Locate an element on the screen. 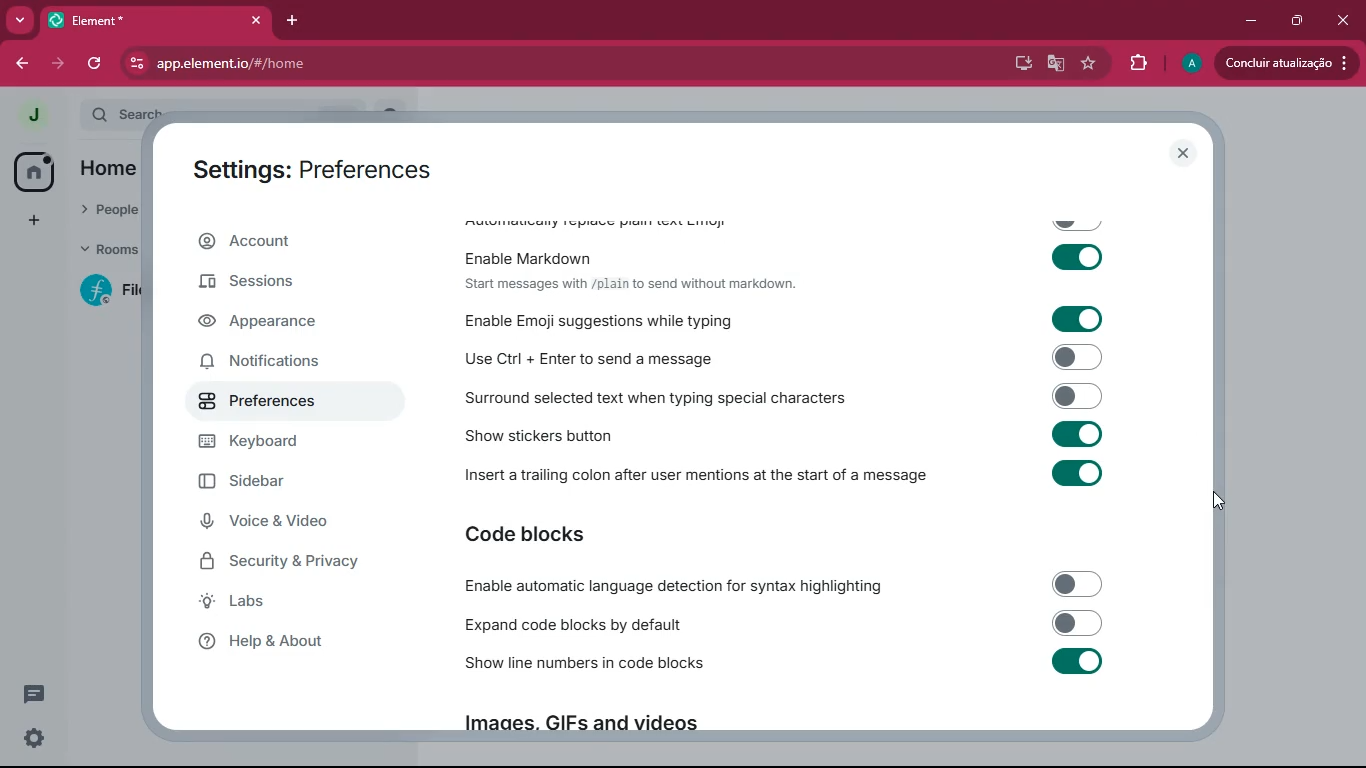 Image resolution: width=1366 pixels, height=768 pixels. conduir atualizacao is located at coordinates (1285, 63).